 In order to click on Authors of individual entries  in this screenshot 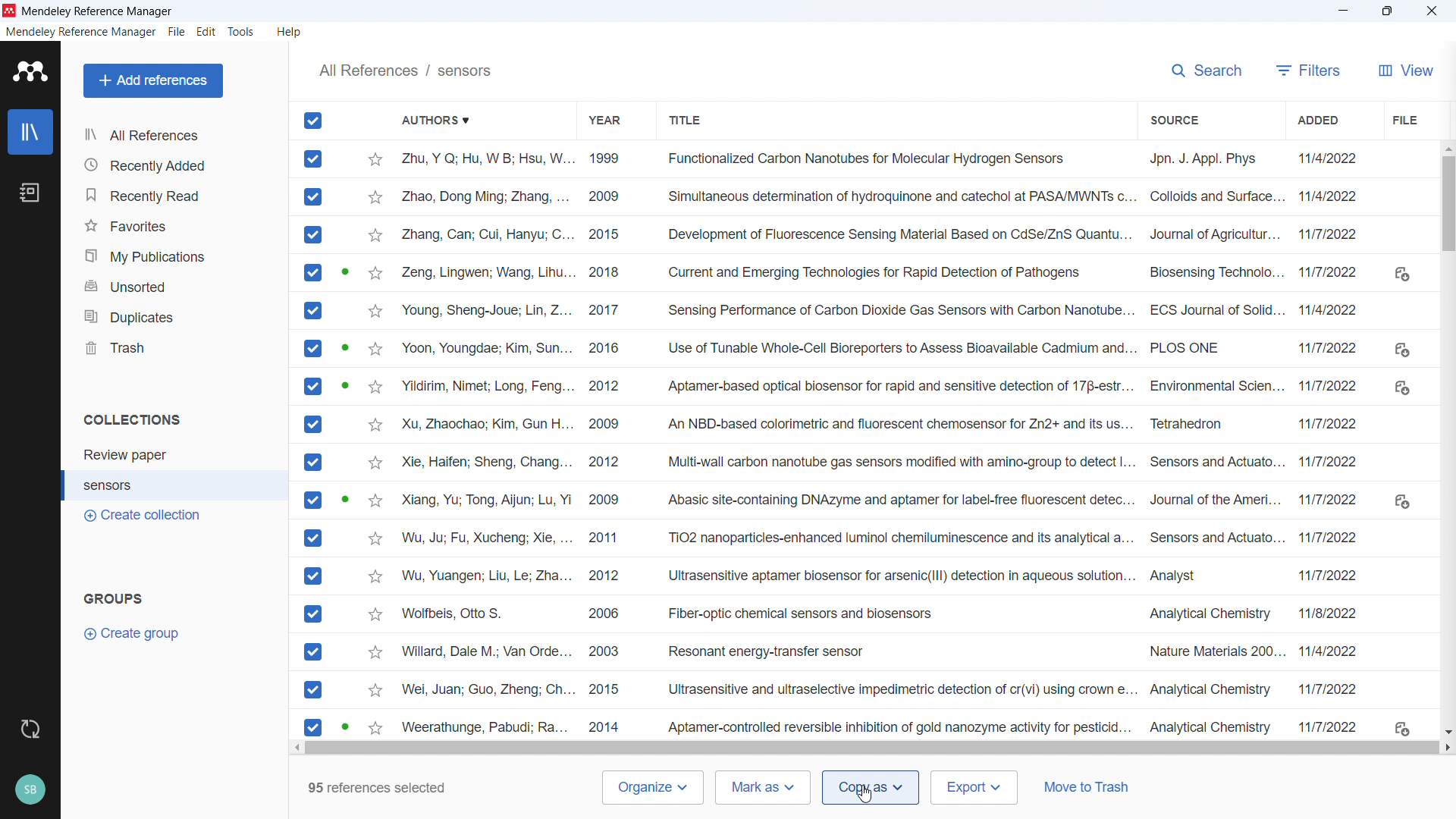, I will do `click(487, 442)`.